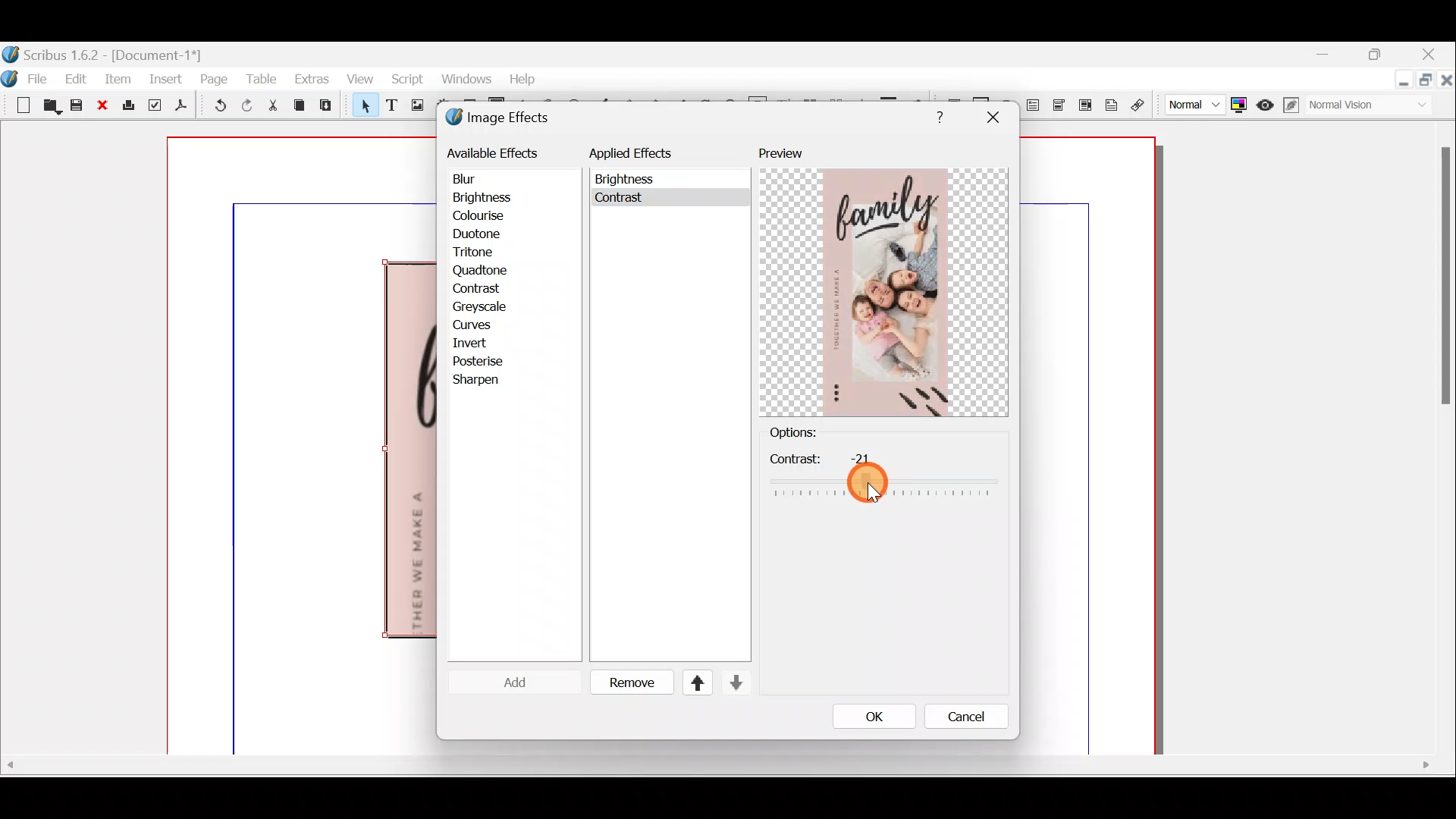  Describe the element at coordinates (1294, 105) in the screenshot. I see `Edit in preview mode` at that location.